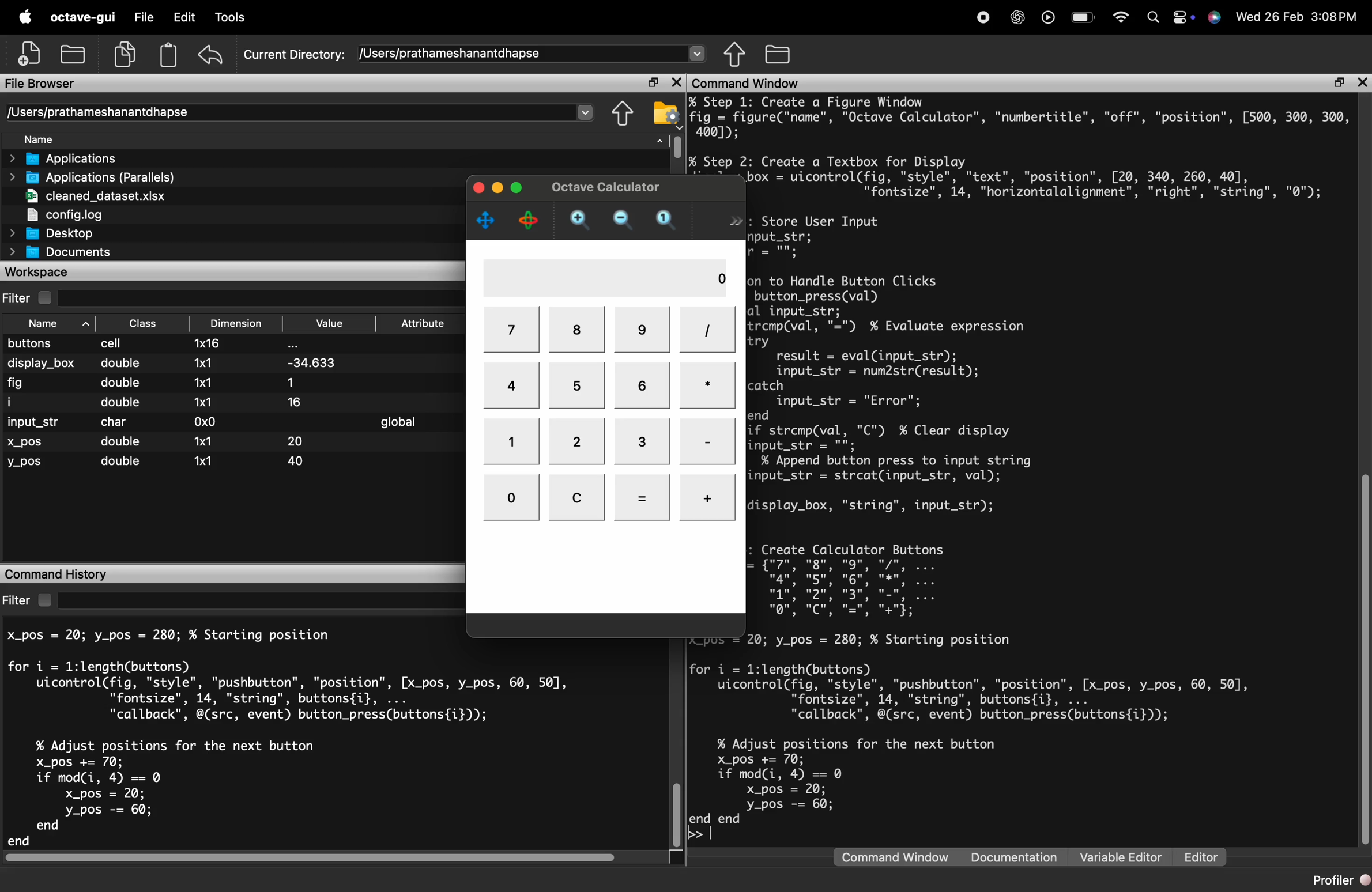 This screenshot has width=1372, height=892. I want to click on Siri, so click(1215, 17).